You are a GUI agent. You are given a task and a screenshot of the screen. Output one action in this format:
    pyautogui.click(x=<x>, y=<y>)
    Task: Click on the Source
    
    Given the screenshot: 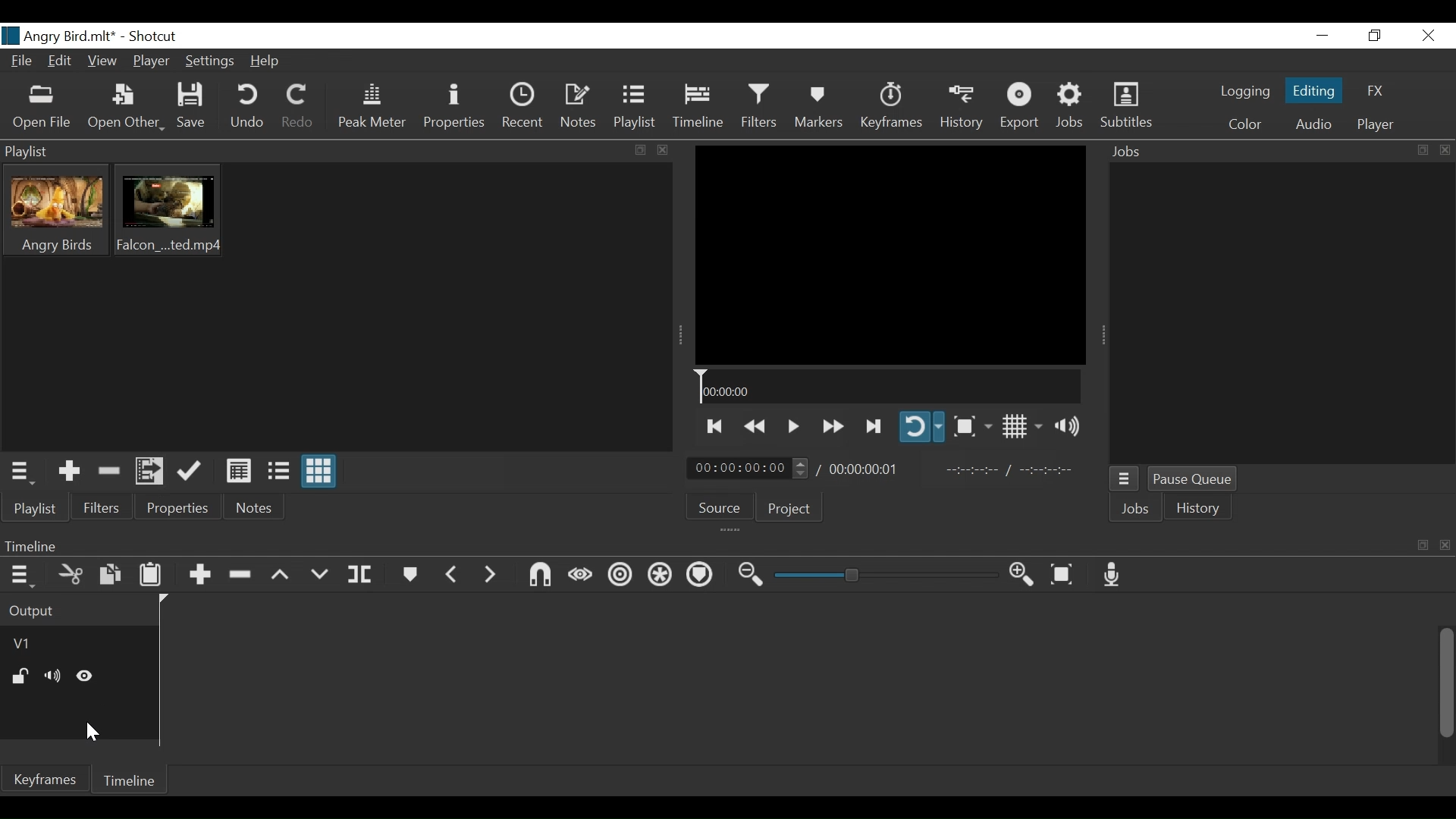 What is the action you would take?
    pyautogui.click(x=718, y=504)
    